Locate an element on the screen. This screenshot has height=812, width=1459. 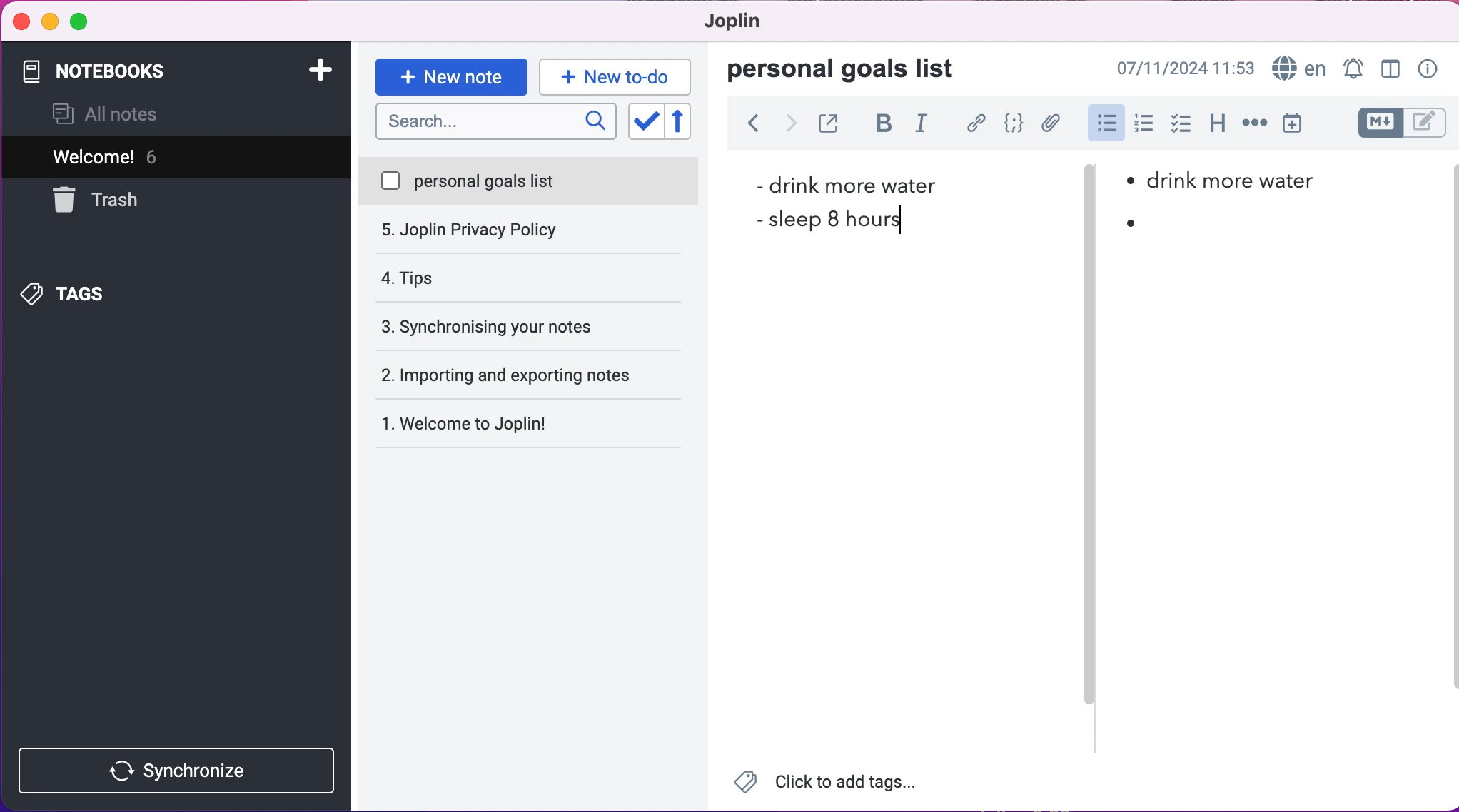
reverse sort order is located at coordinates (687, 122).